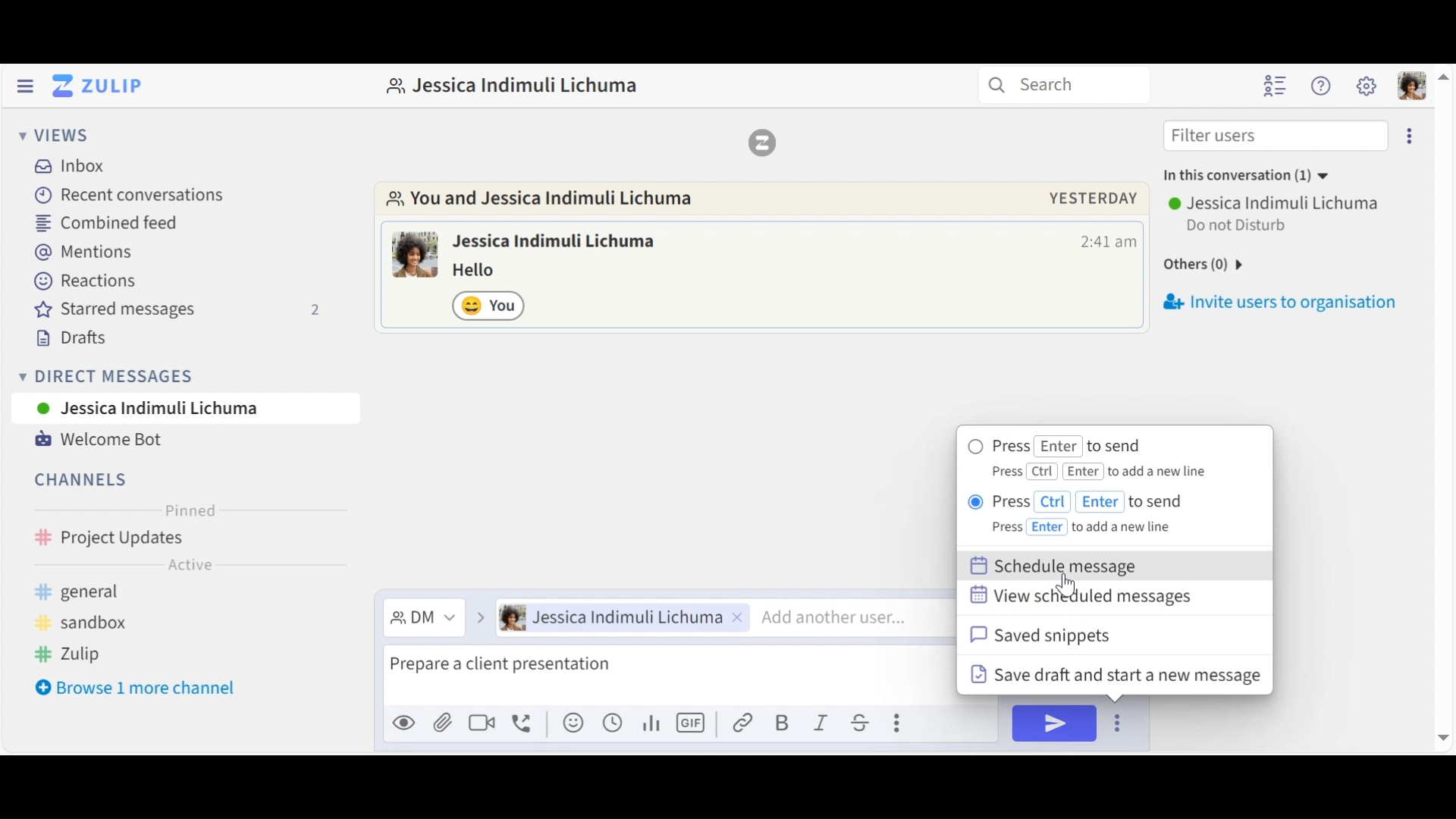 The width and height of the screenshot is (1456, 819). Describe the element at coordinates (1277, 86) in the screenshot. I see `Hide user list` at that location.